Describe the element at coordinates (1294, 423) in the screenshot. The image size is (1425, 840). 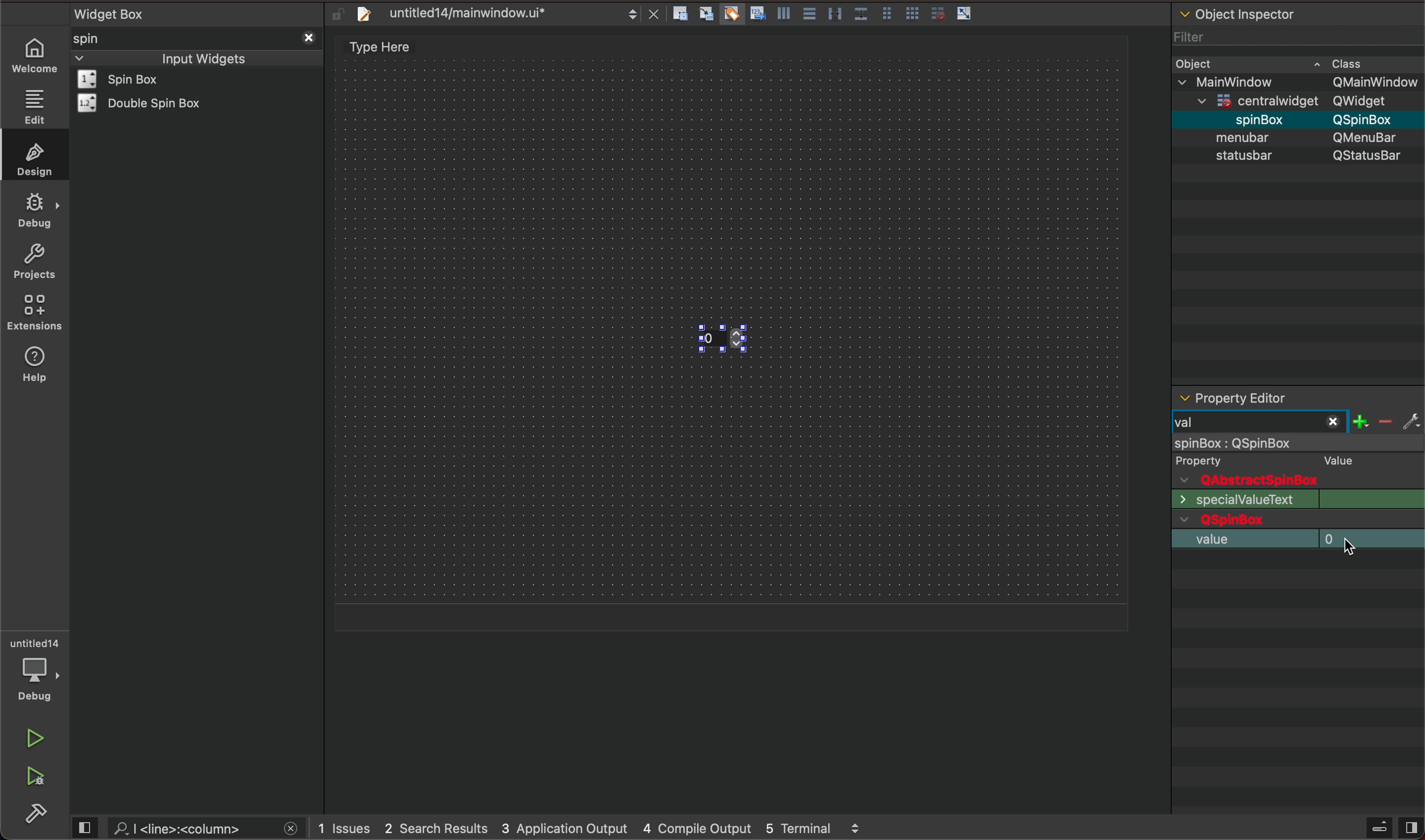
I see `val filter` at that location.